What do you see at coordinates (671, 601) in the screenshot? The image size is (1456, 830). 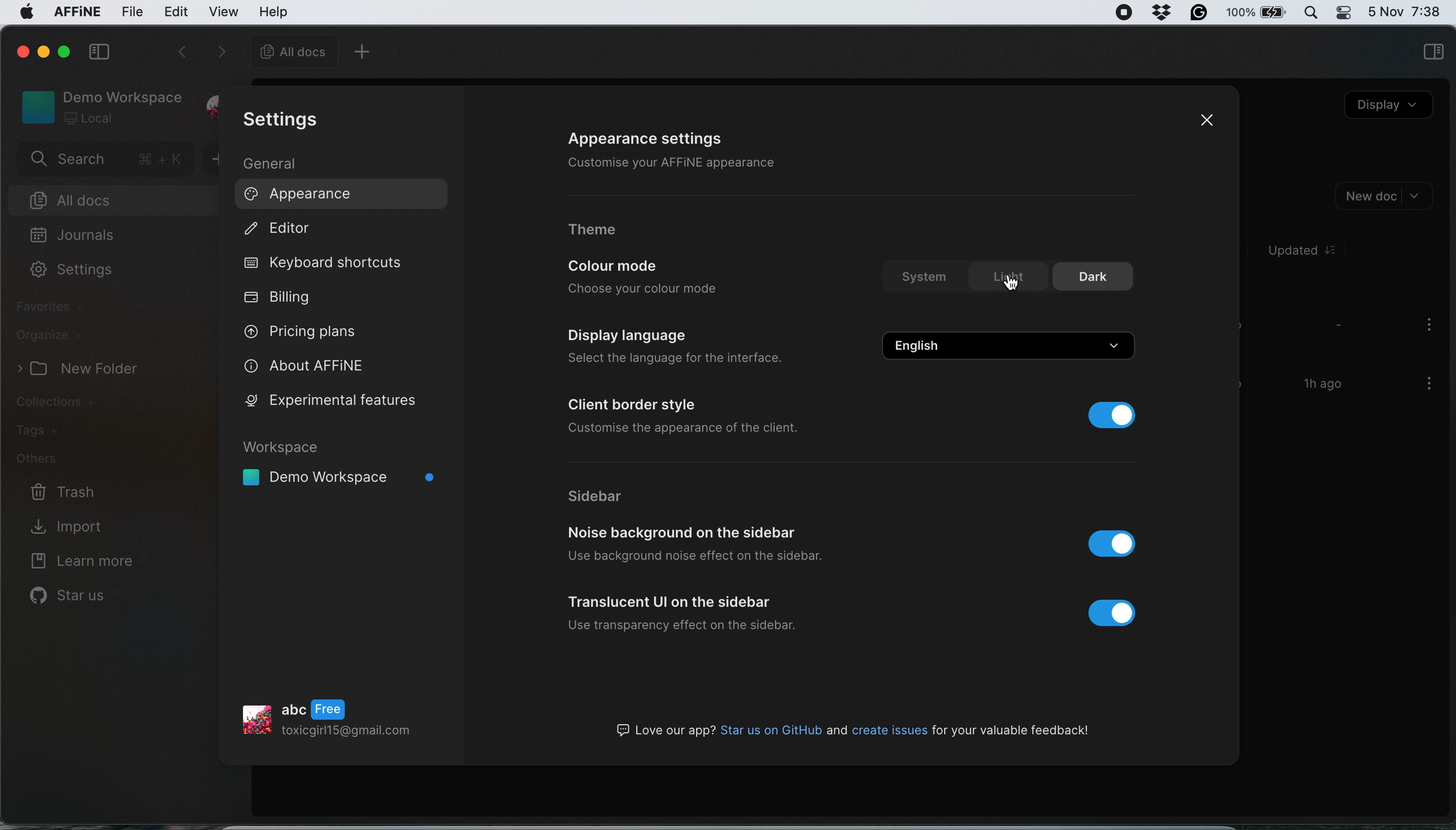 I see `translucent ui on the sidebar` at bounding box center [671, 601].